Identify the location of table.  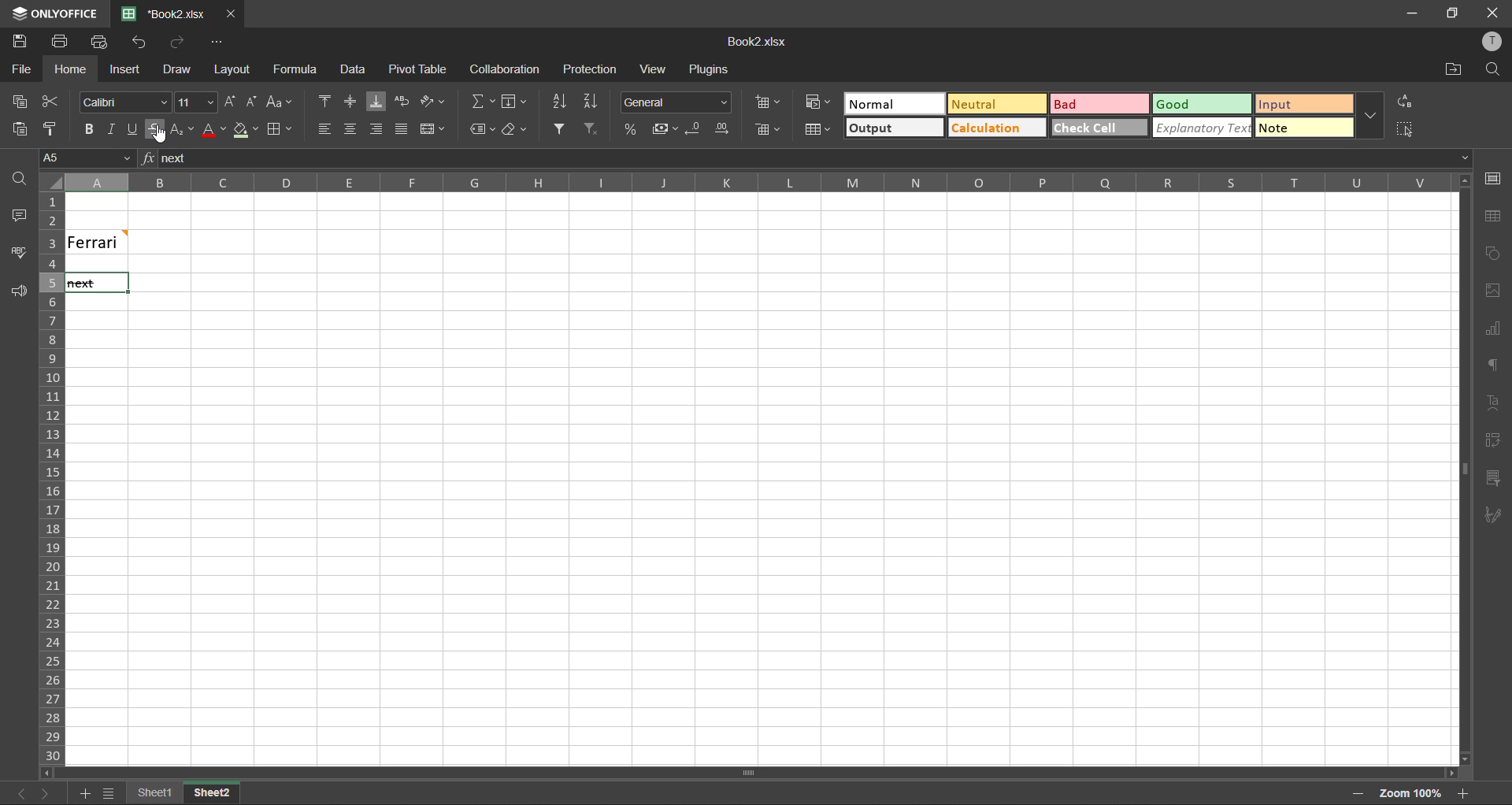
(1495, 217).